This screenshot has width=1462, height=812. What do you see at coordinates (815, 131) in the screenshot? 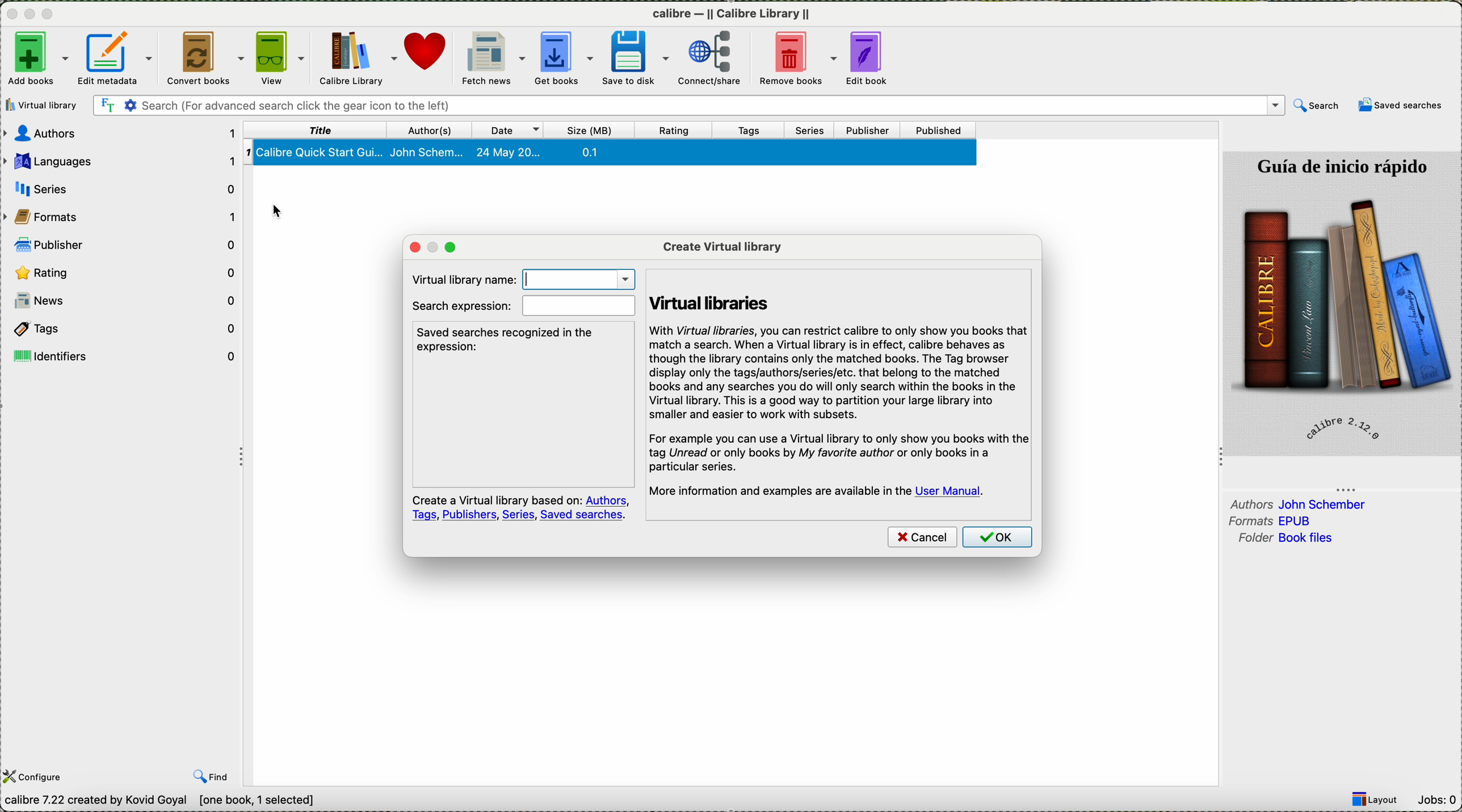
I see `series` at bounding box center [815, 131].